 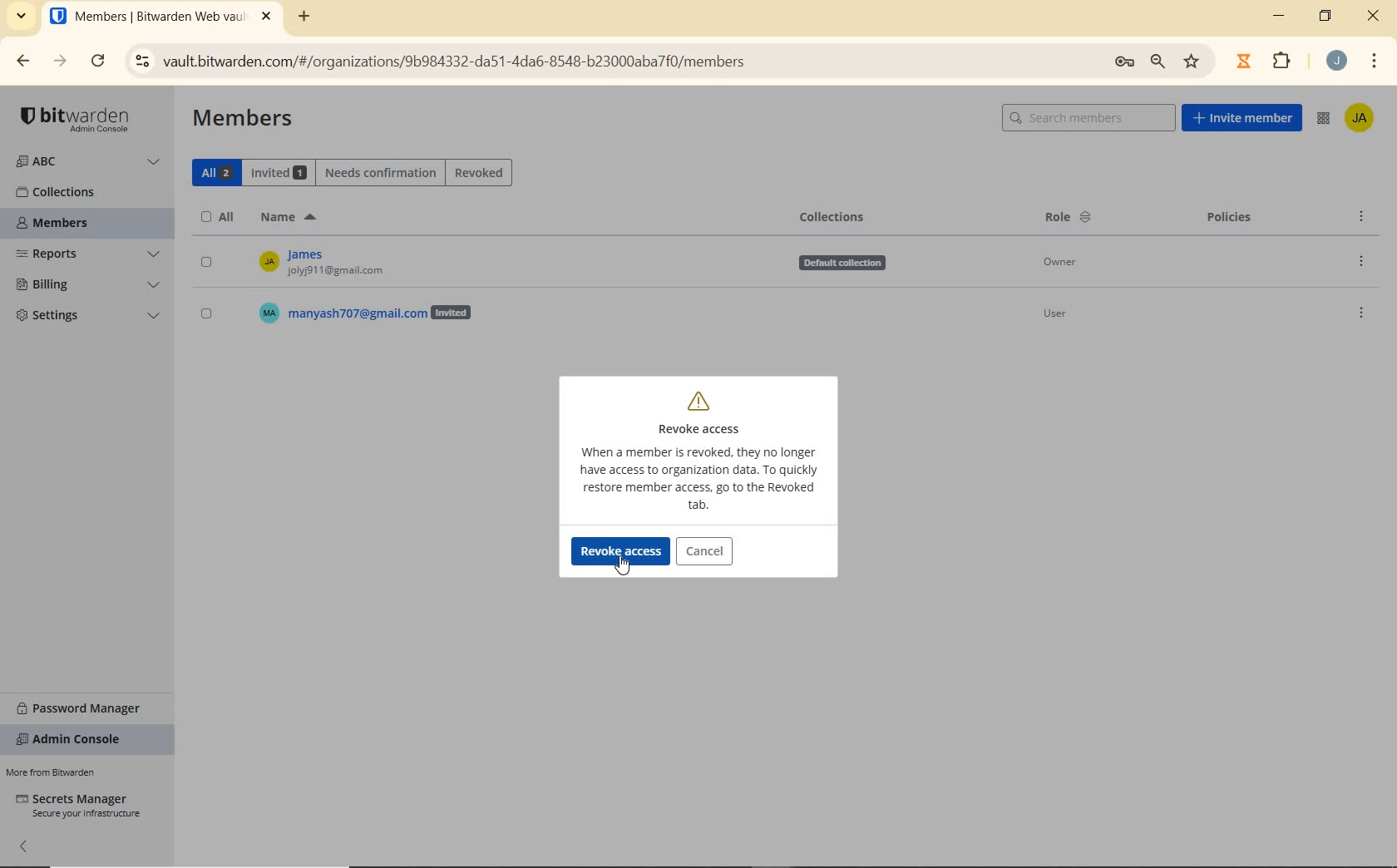 What do you see at coordinates (1365, 217) in the screenshot?
I see `OPTIONS` at bounding box center [1365, 217].